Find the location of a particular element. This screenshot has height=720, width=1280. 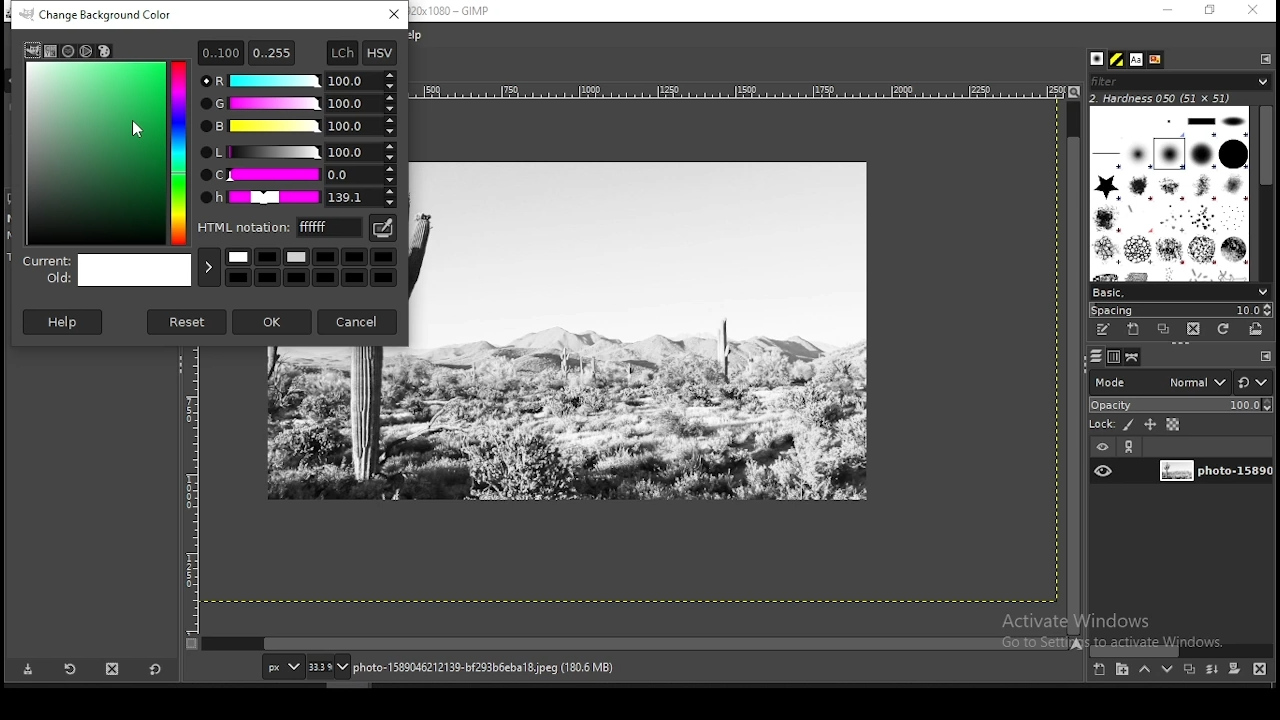

brushes is located at coordinates (1171, 193).